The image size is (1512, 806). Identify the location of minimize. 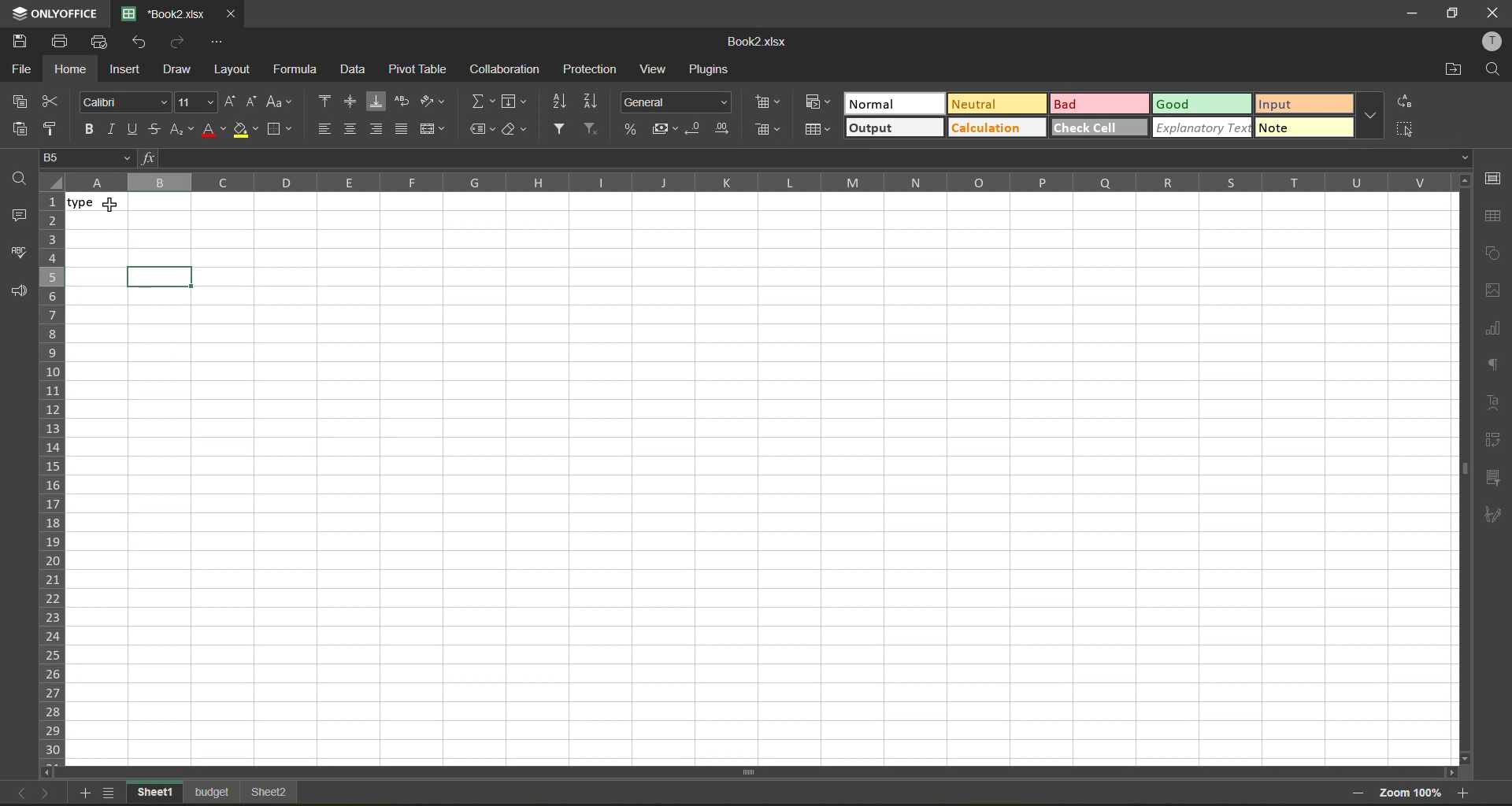
(1413, 15).